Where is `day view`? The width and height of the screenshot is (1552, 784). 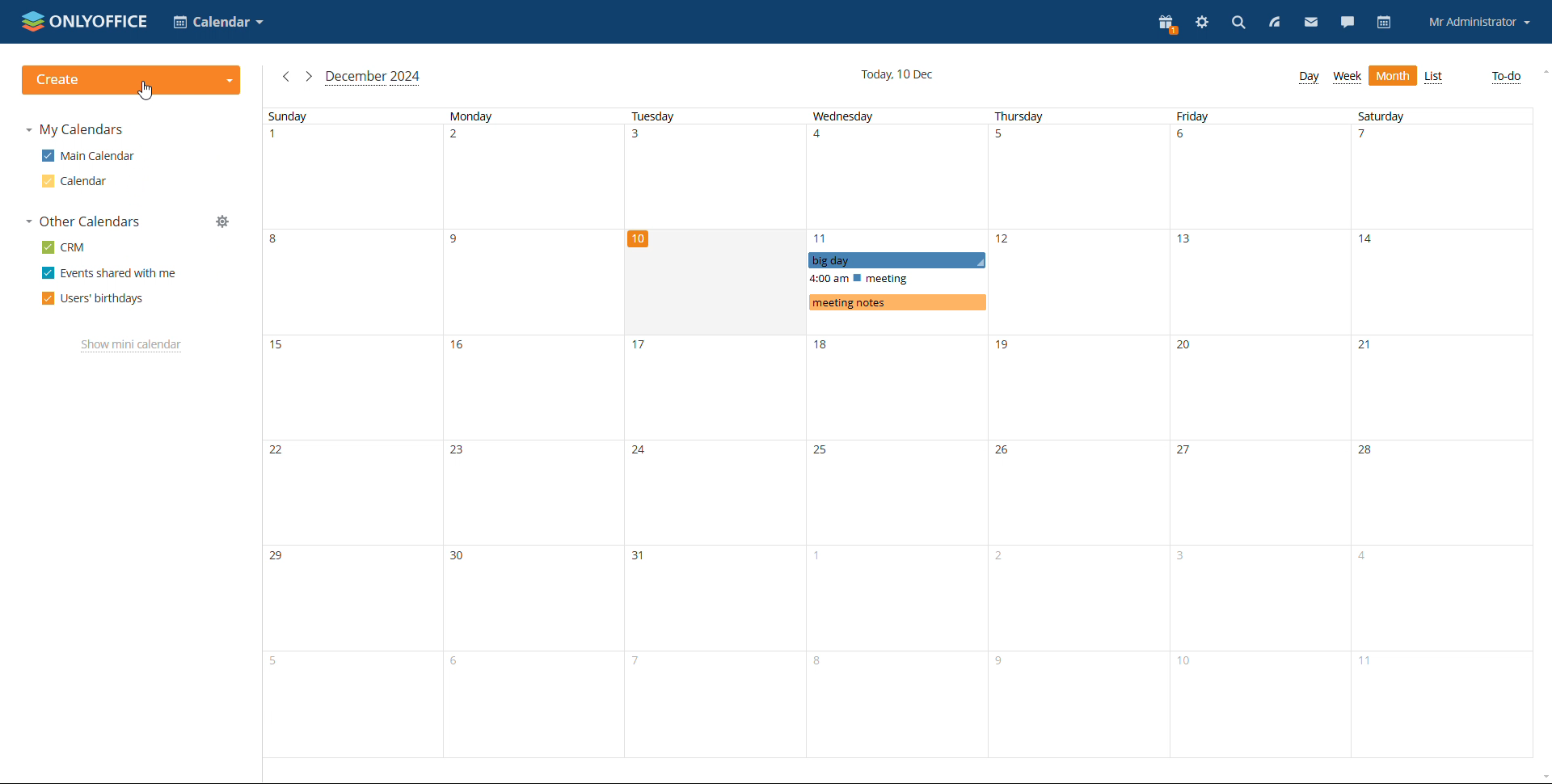 day view is located at coordinates (1309, 78).